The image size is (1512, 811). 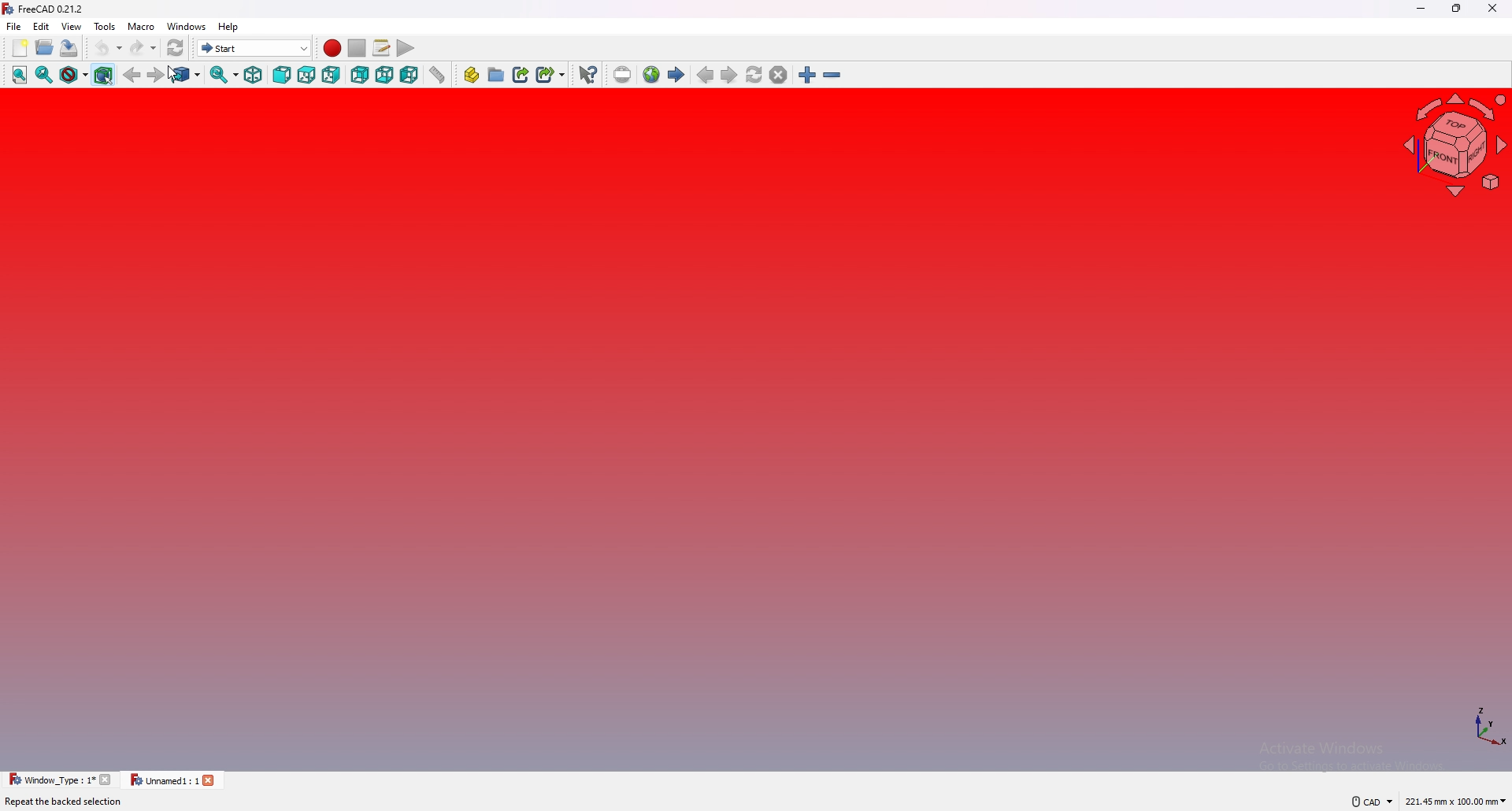 I want to click on macro, so click(x=142, y=26).